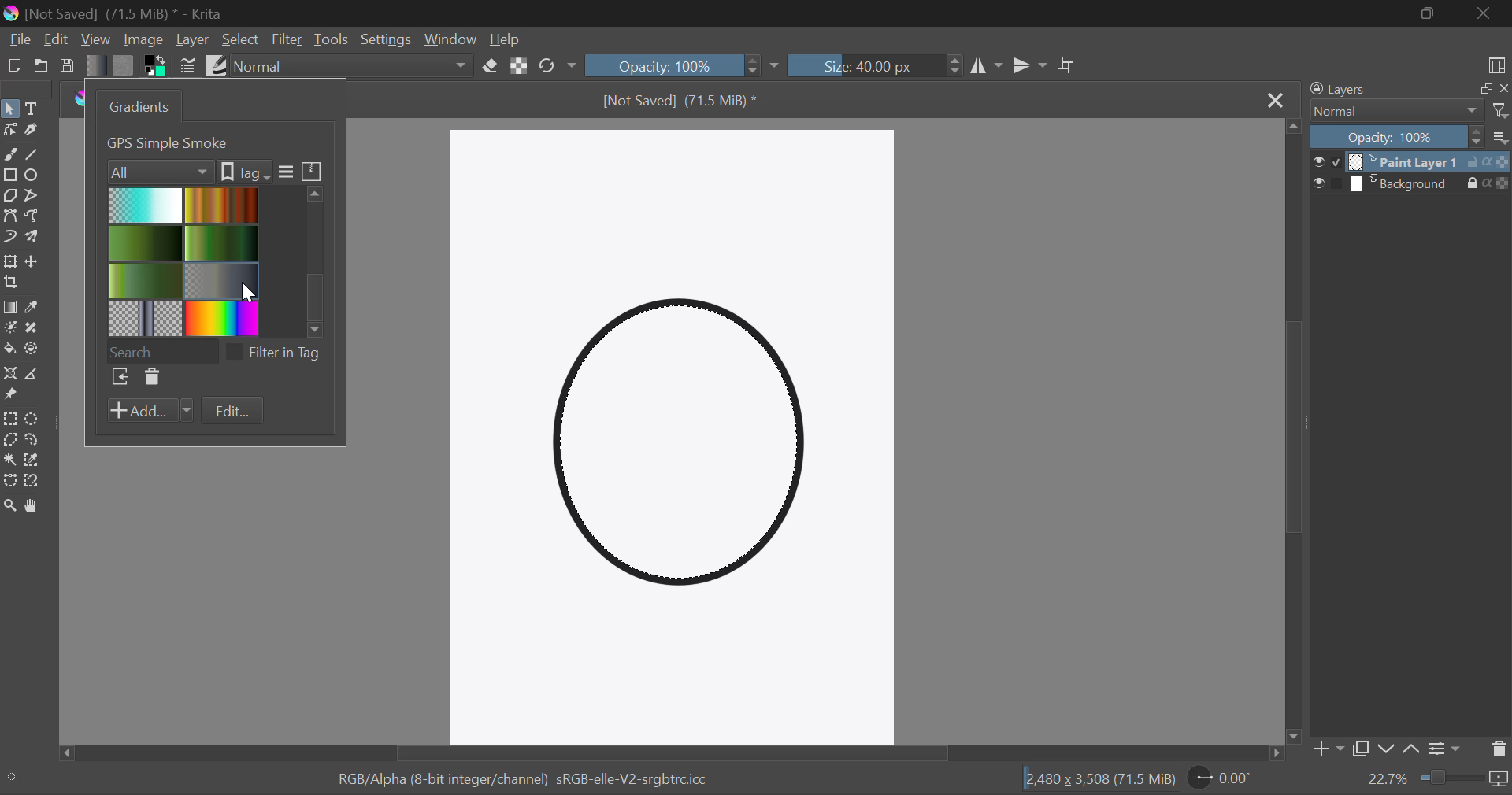 This screenshot has width=1512, height=795. What do you see at coordinates (41, 66) in the screenshot?
I see `Open` at bounding box center [41, 66].